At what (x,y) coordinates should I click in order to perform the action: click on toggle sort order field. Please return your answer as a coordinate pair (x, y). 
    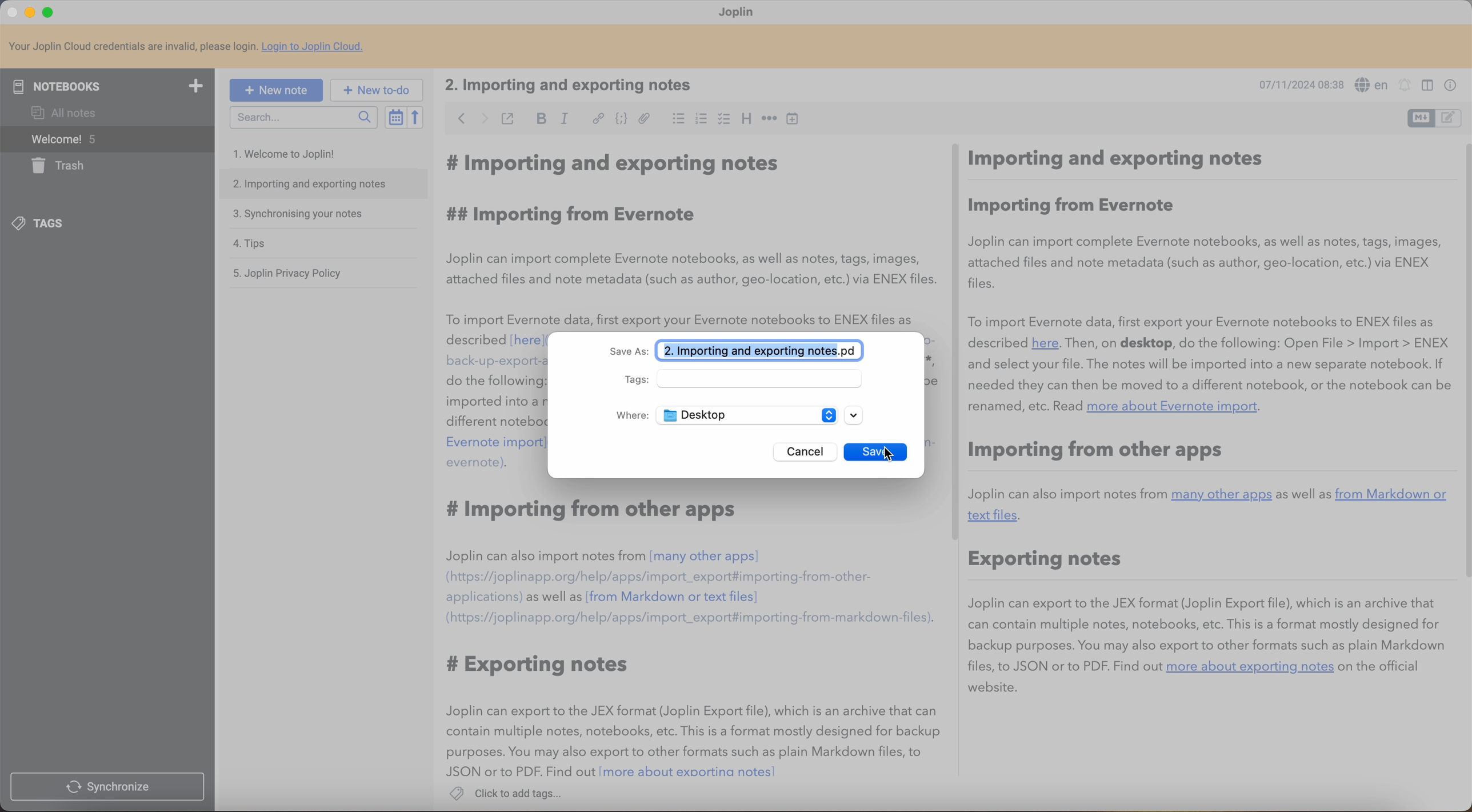
    Looking at the image, I should click on (394, 117).